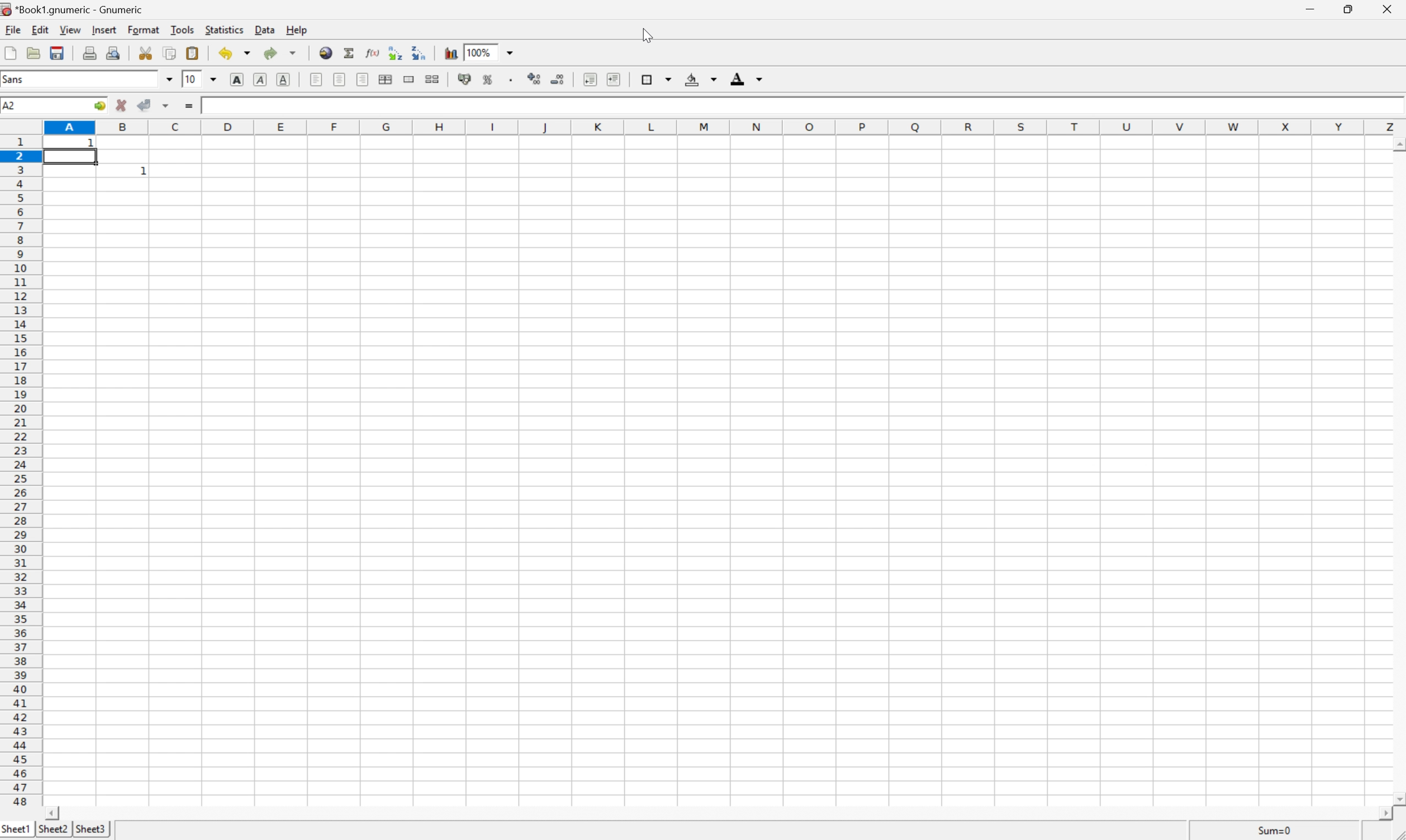 This screenshot has width=1406, height=840. I want to click on open a file, so click(32, 54).